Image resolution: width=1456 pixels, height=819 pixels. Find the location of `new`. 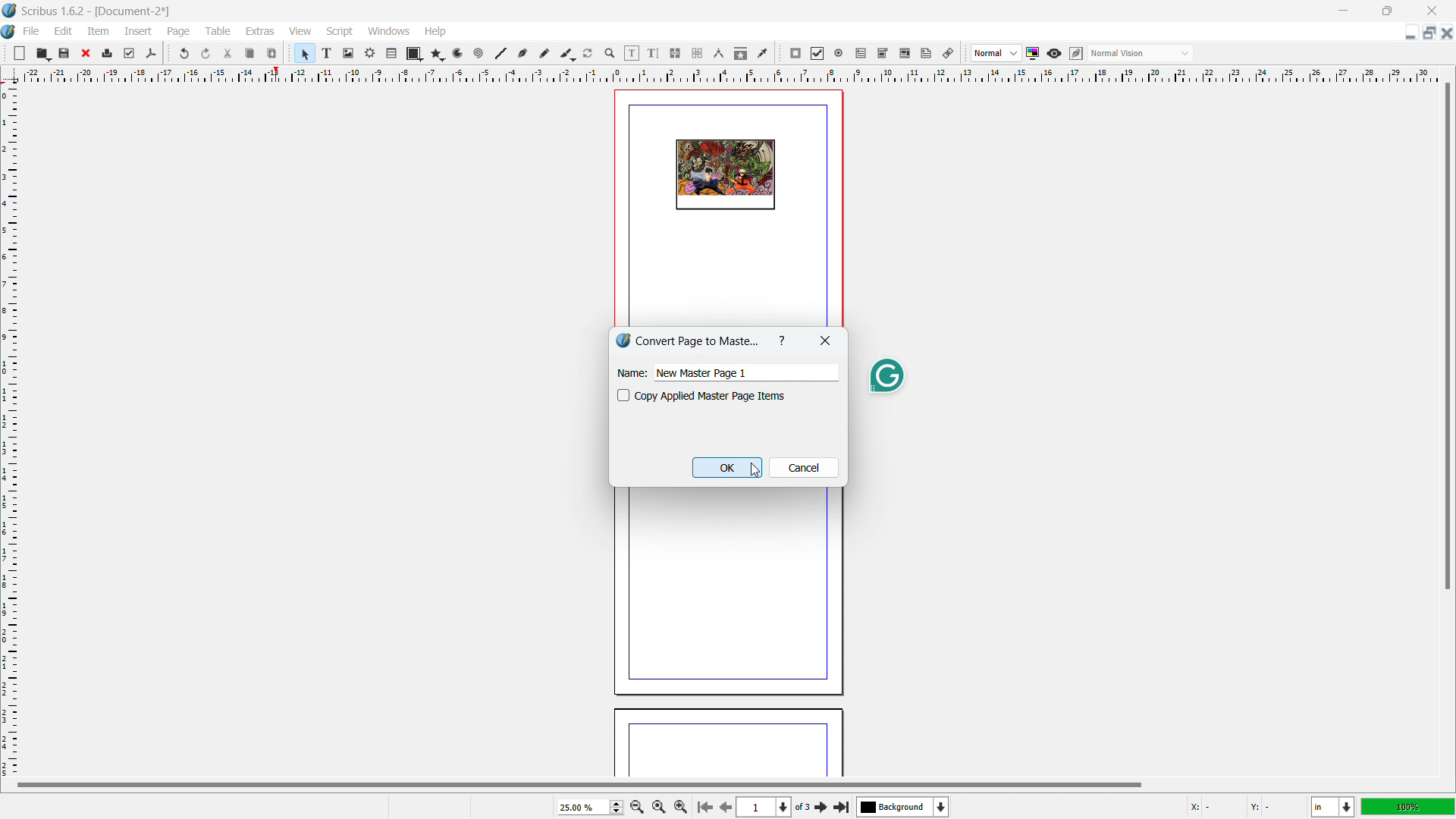

new is located at coordinates (20, 53).